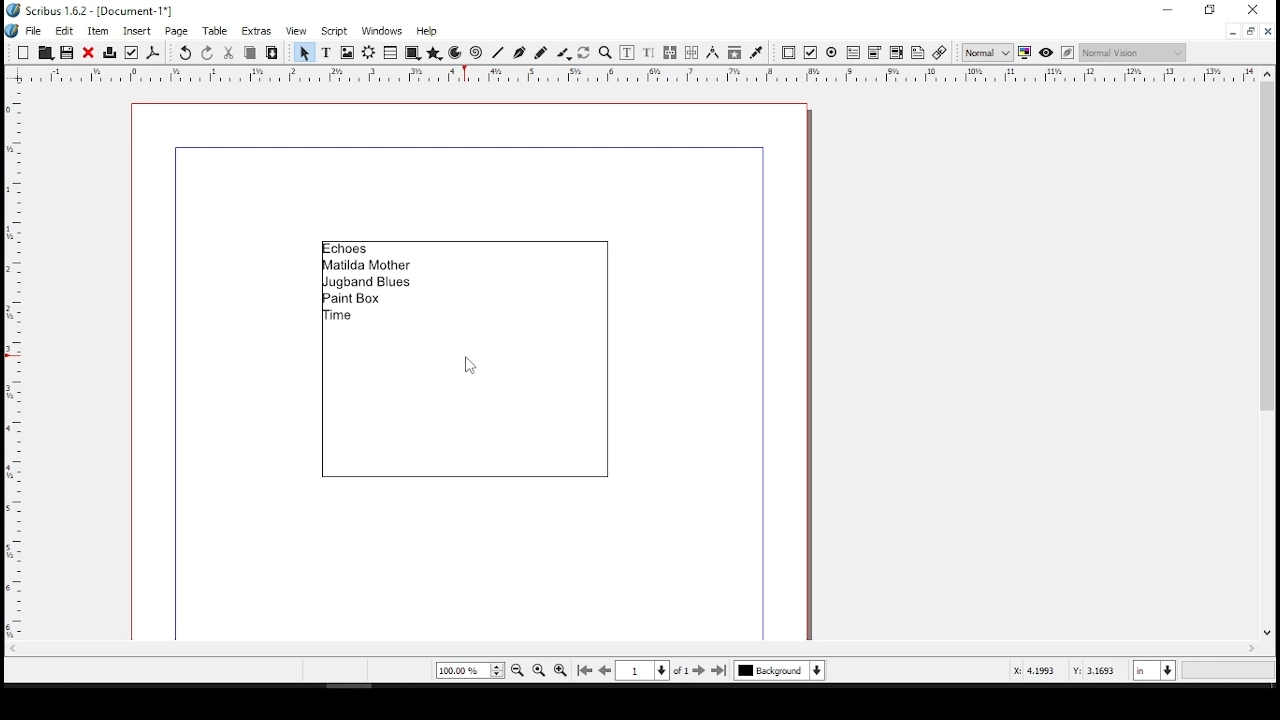 The image size is (1280, 720). What do you see at coordinates (349, 248) in the screenshot?
I see `echoes` at bounding box center [349, 248].